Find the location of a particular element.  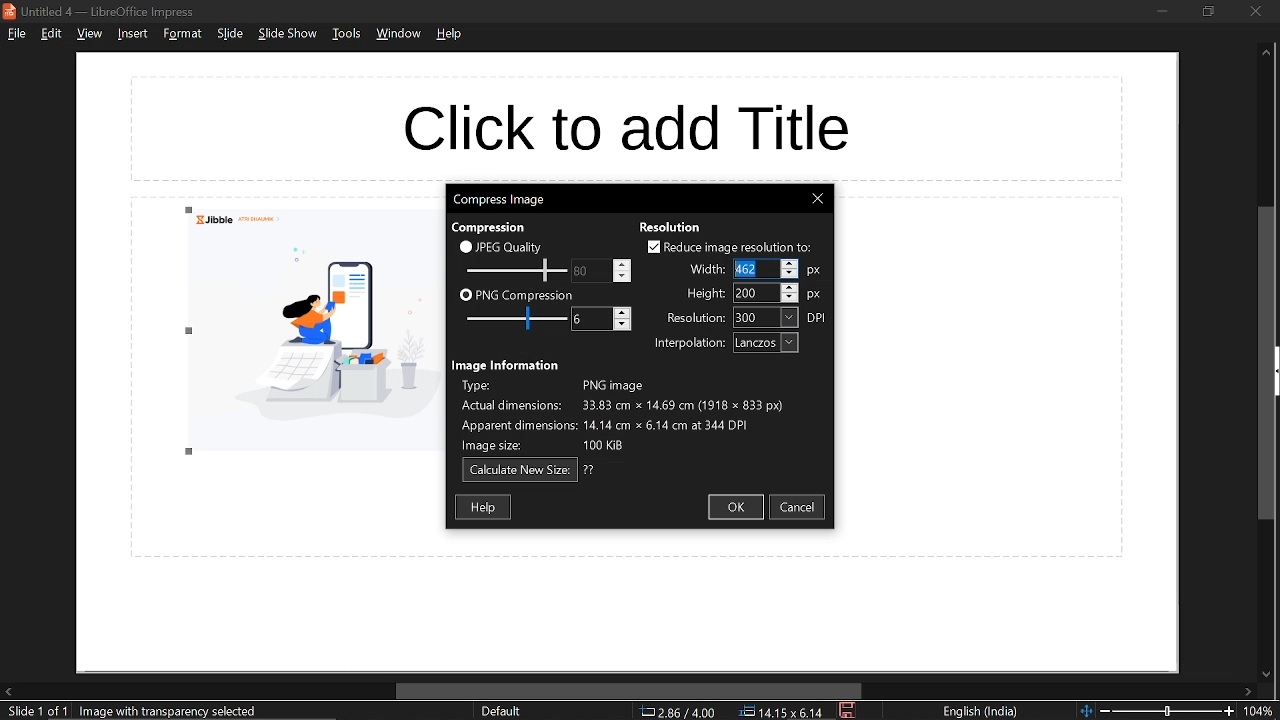

current zoom is located at coordinates (1262, 712).